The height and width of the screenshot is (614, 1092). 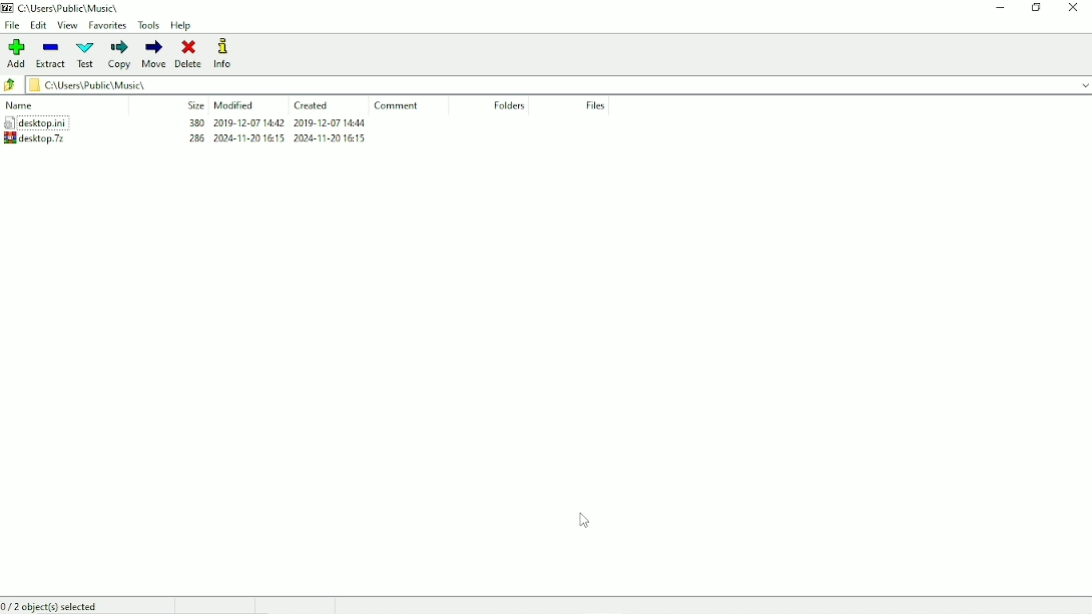 I want to click on View, so click(x=67, y=26).